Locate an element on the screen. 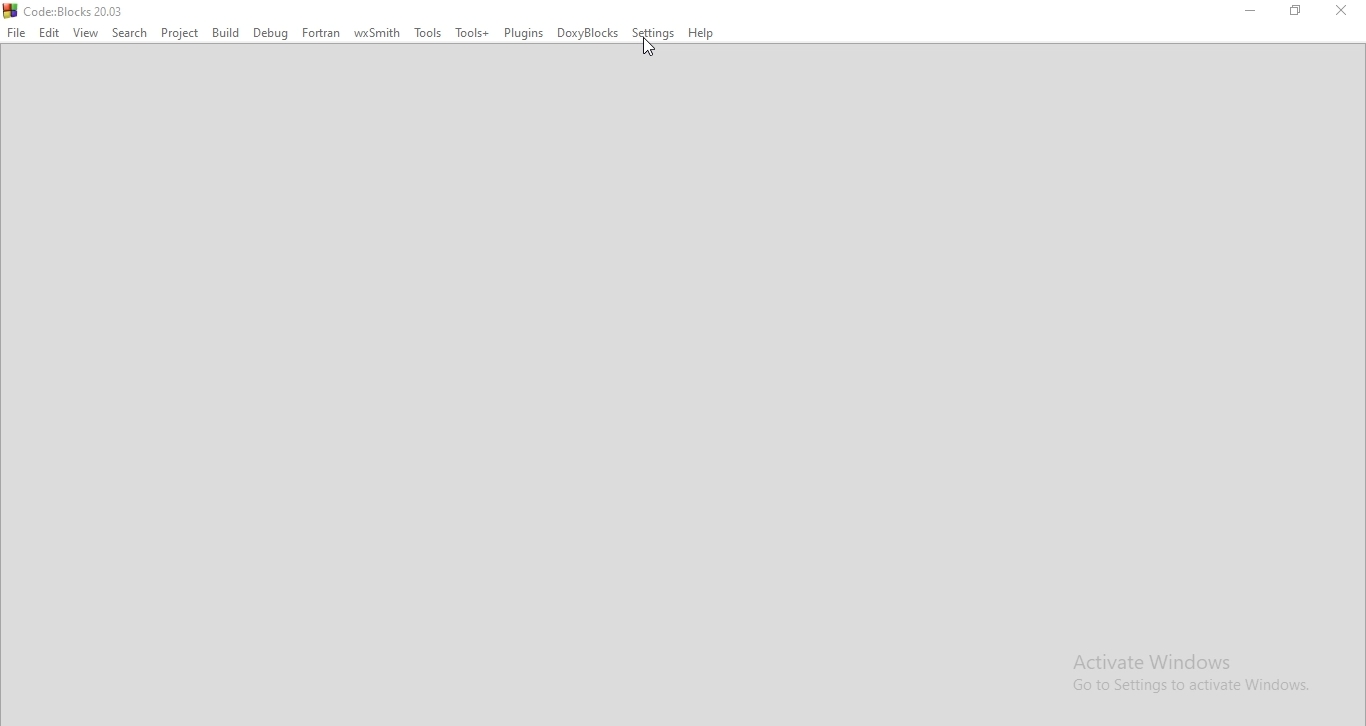 Image resolution: width=1366 pixels, height=726 pixels. wxSmith is located at coordinates (380, 34).